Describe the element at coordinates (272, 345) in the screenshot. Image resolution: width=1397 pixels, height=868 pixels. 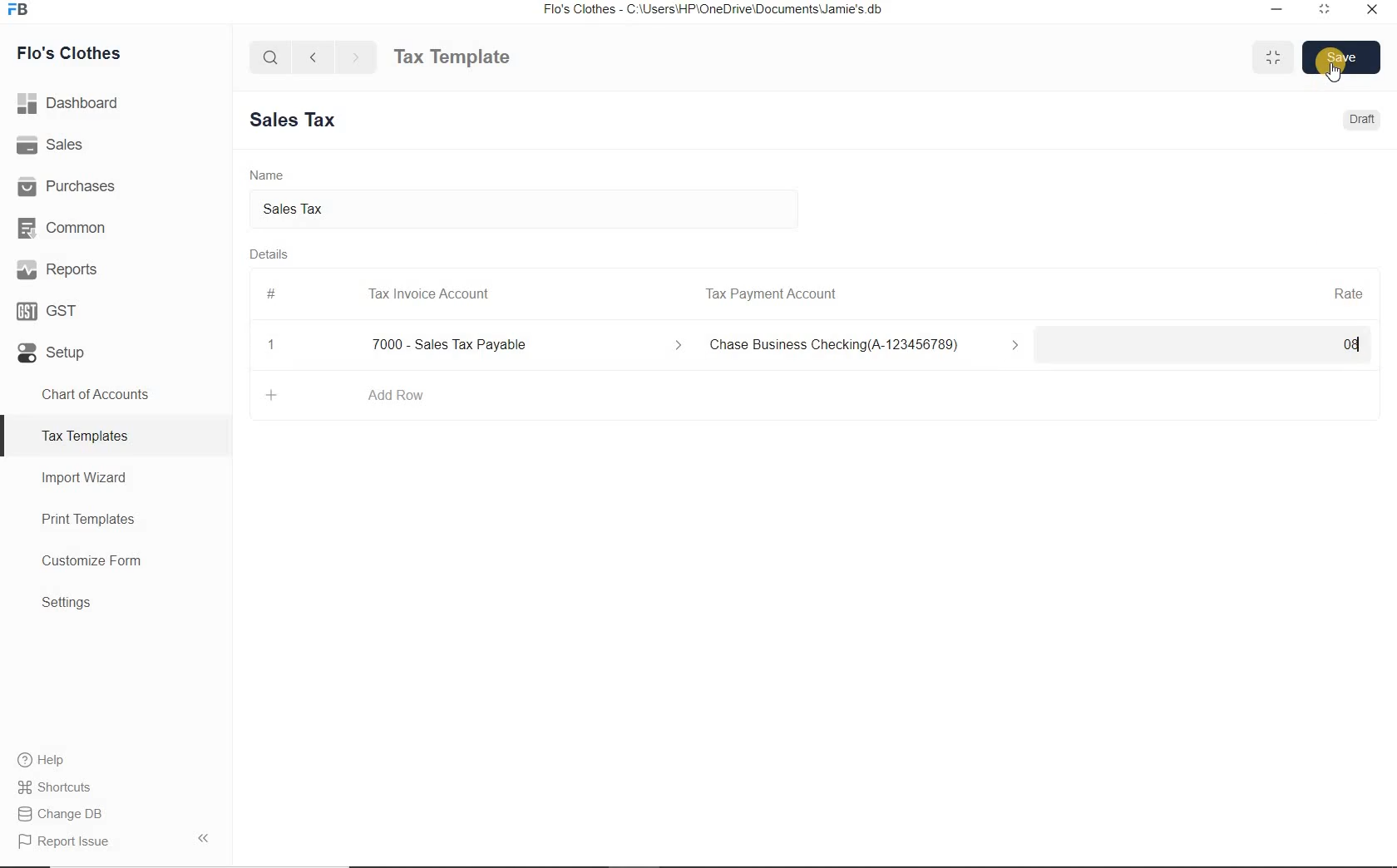
I see `Close` at that location.